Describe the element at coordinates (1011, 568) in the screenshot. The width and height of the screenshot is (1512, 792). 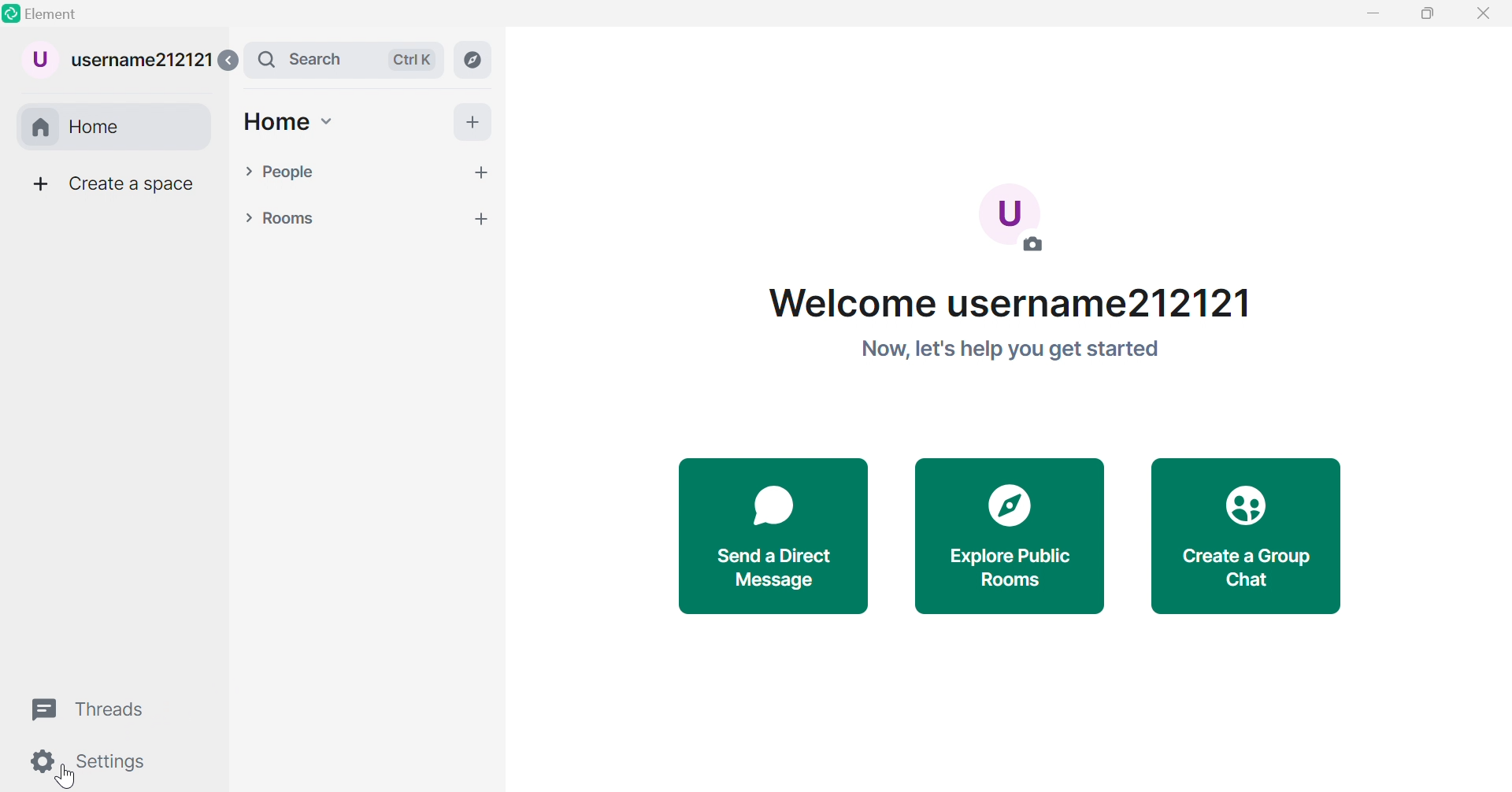
I see `Explore public rooms` at that location.